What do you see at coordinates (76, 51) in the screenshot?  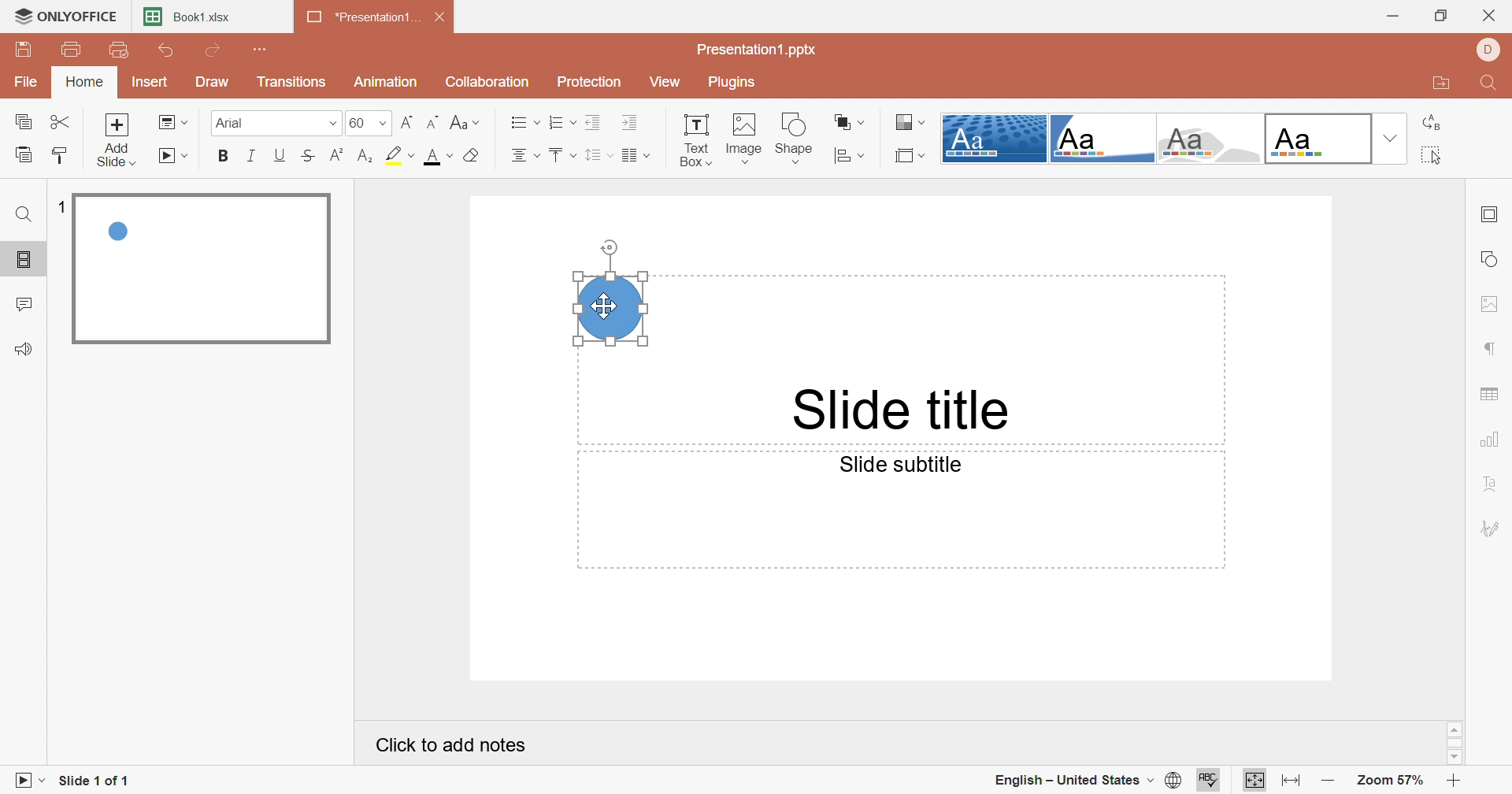 I see `Print` at bounding box center [76, 51].